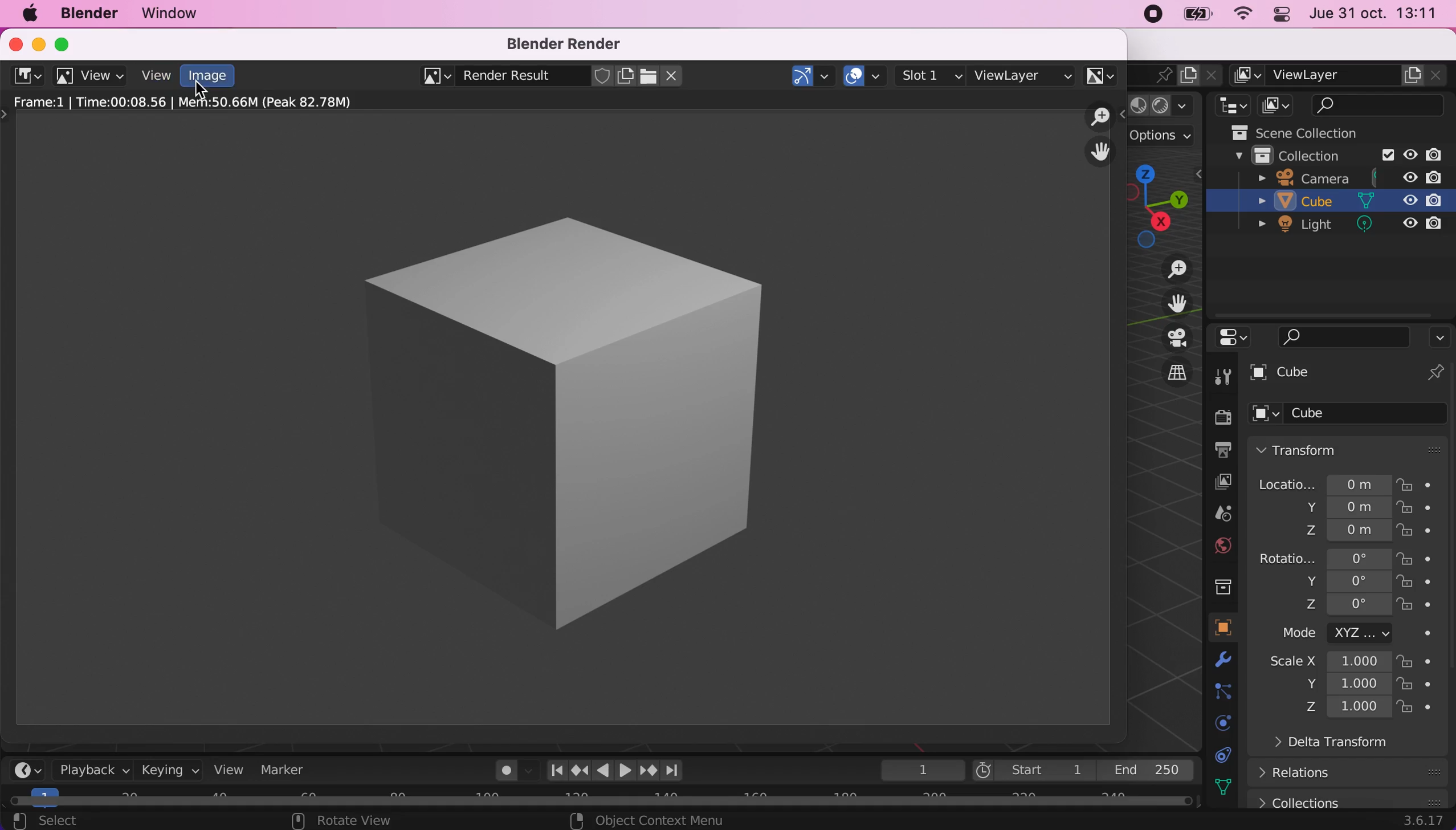 This screenshot has height=830, width=1456. Describe the element at coordinates (1419, 584) in the screenshot. I see `lock` at that location.